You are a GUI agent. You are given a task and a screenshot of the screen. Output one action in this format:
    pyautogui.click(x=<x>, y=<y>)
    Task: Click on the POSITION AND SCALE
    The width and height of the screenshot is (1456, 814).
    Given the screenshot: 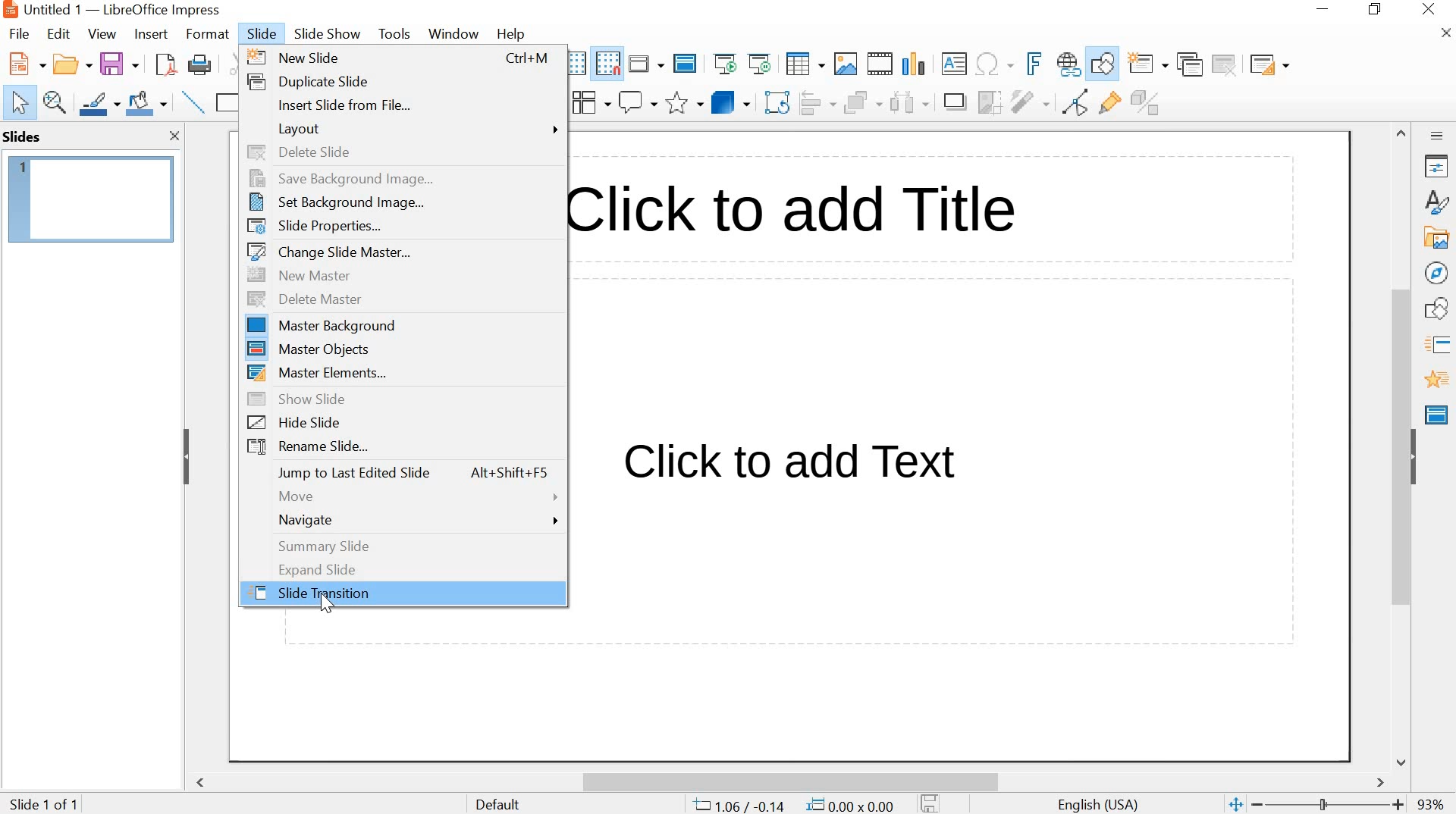 What is the action you would take?
    pyautogui.click(x=793, y=806)
    